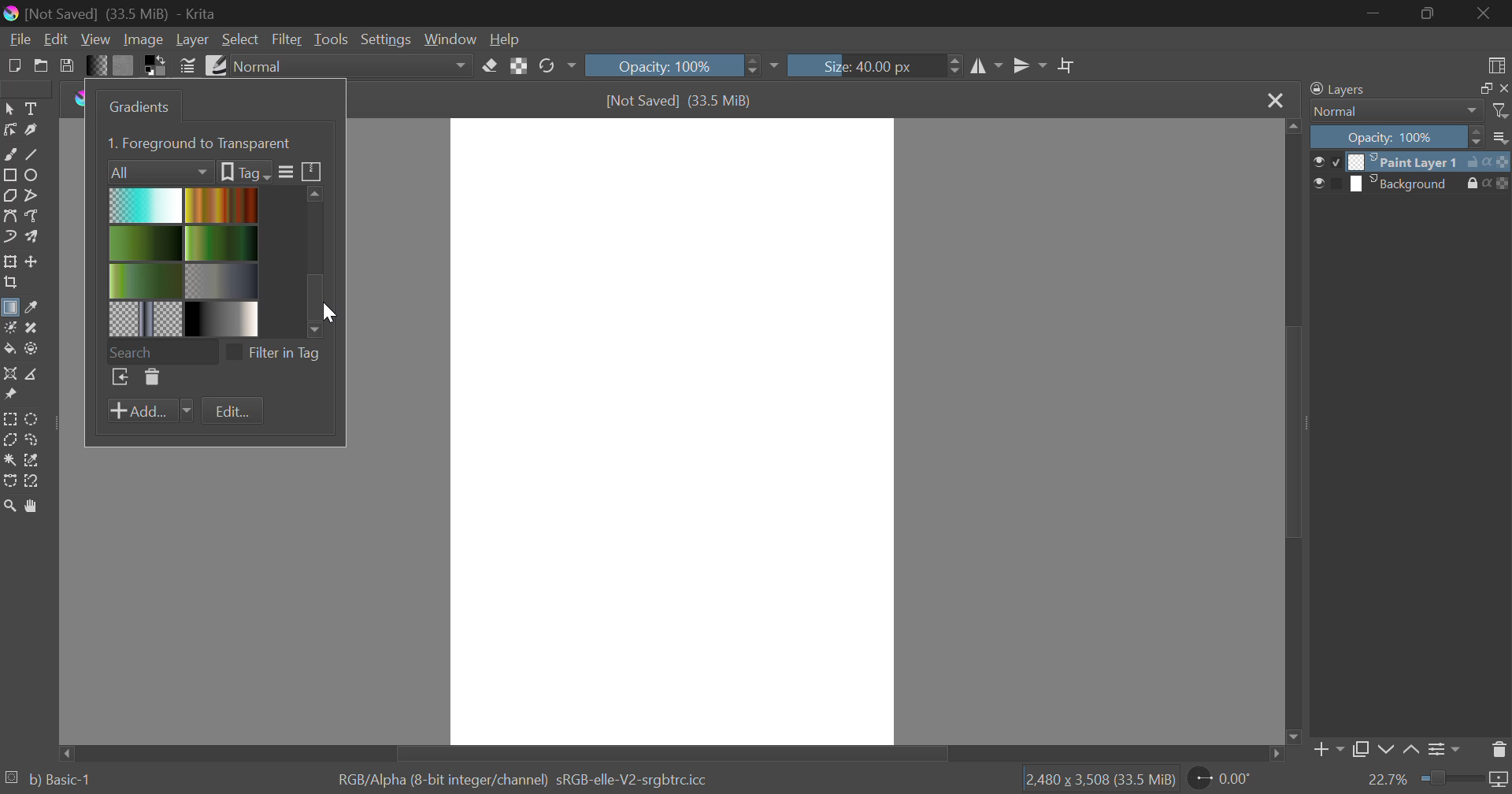  Describe the element at coordinates (9, 284) in the screenshot. I see `Crop Layer` at that location.